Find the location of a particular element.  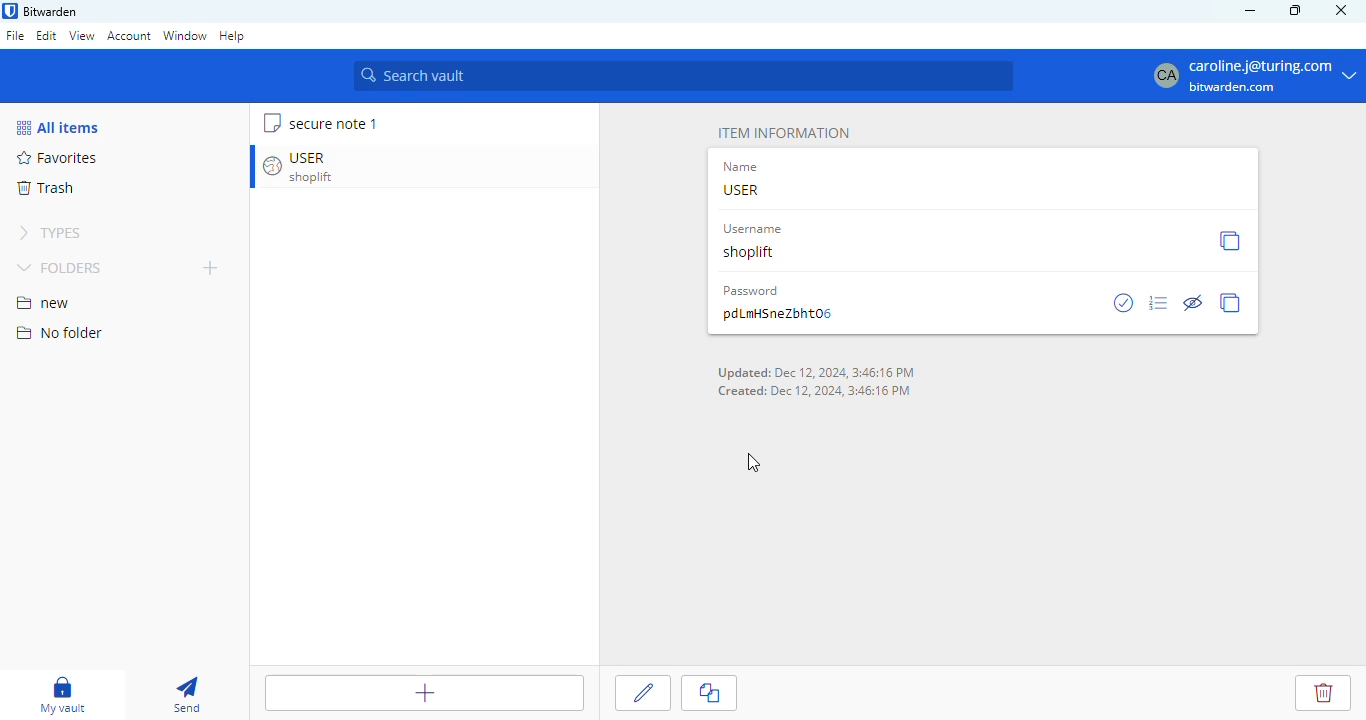

edit is located at coordinates (46, 35).